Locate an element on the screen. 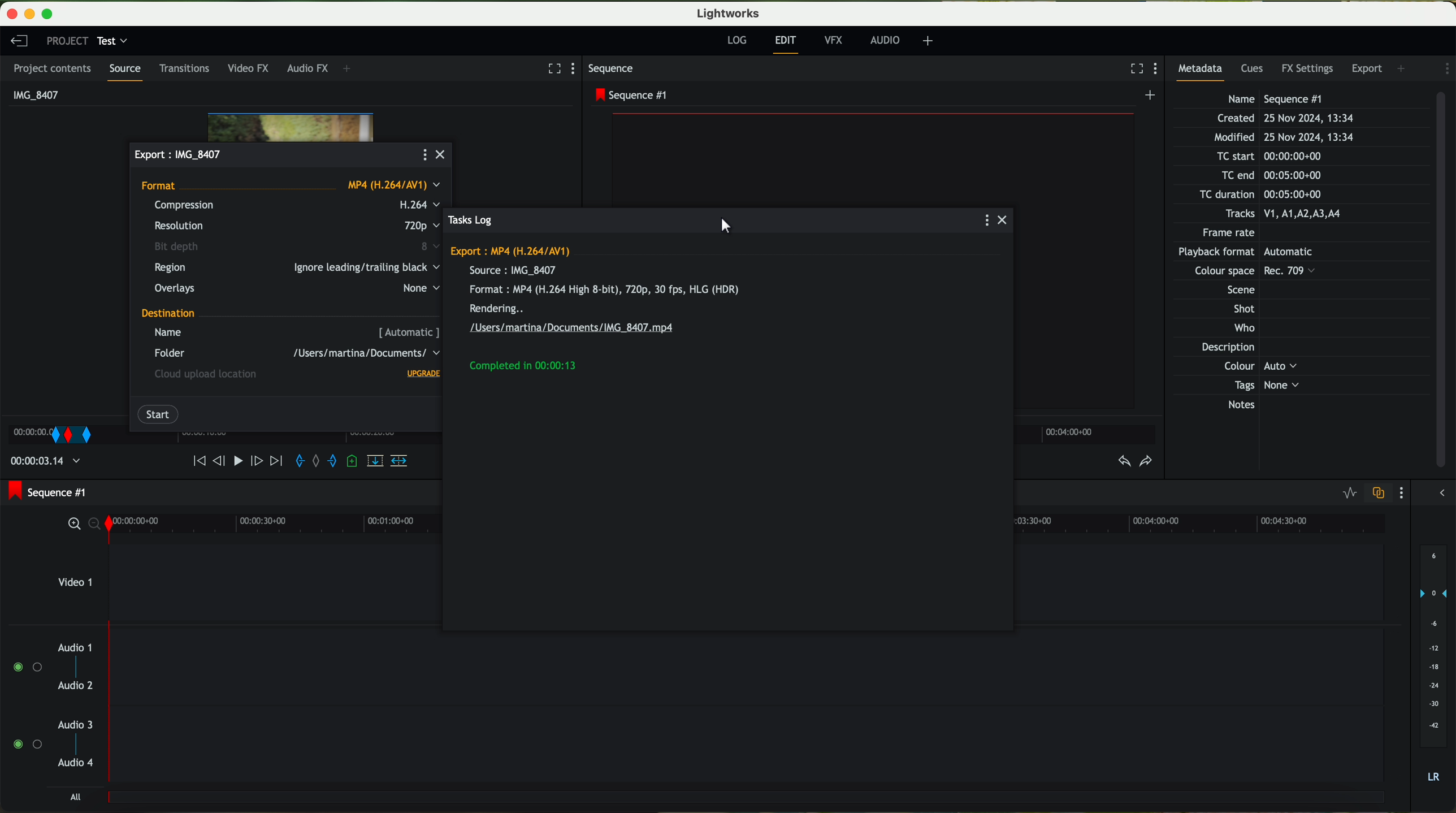 Image resolution: width=1456 pixels, height=813 pixels. zoom out is located at coordinates (94, 526).